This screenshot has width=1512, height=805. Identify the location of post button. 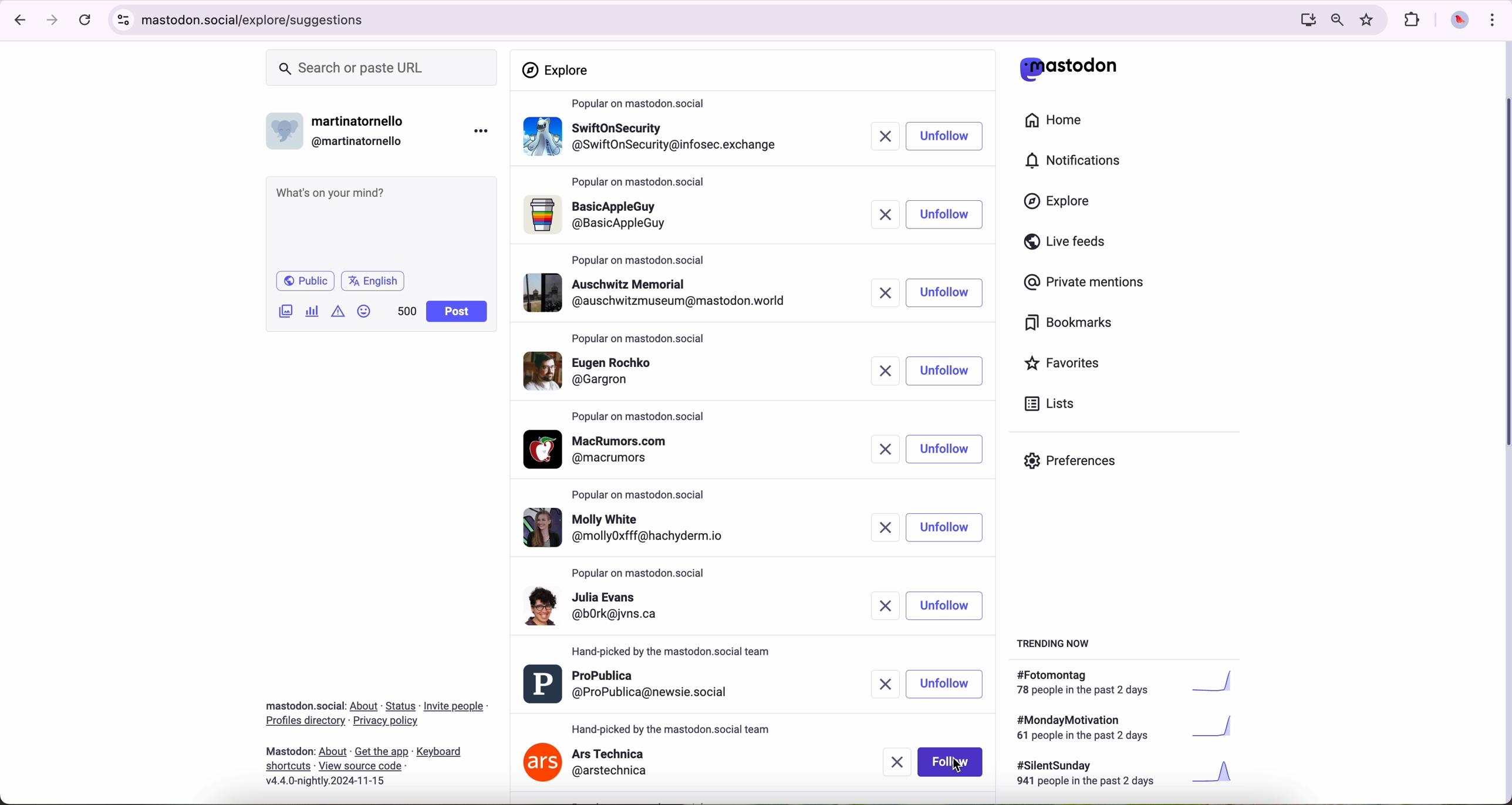
(457, 312).